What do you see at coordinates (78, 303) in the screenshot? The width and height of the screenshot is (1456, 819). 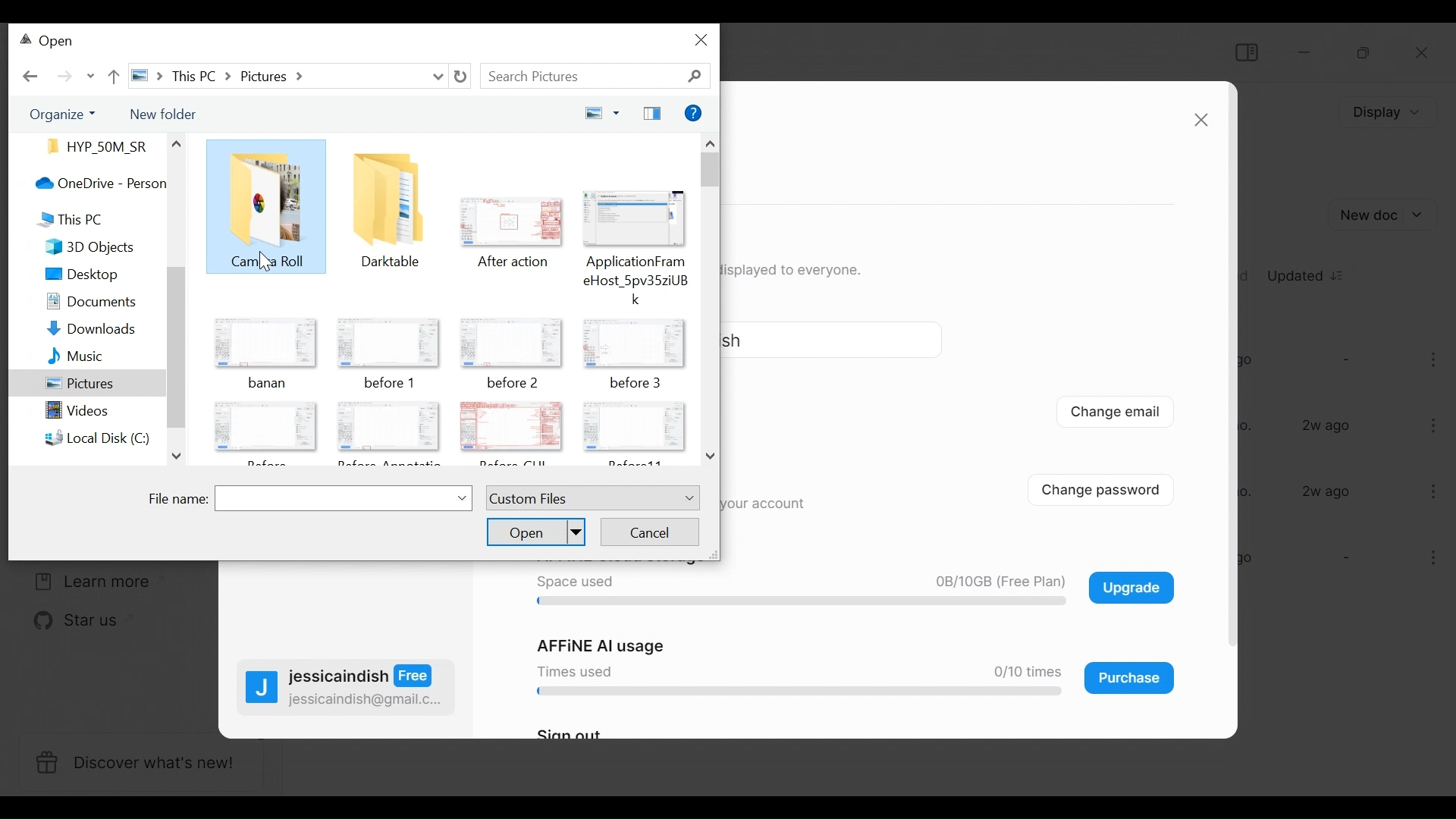 I see `Documents` at bounding box center [78, 303].